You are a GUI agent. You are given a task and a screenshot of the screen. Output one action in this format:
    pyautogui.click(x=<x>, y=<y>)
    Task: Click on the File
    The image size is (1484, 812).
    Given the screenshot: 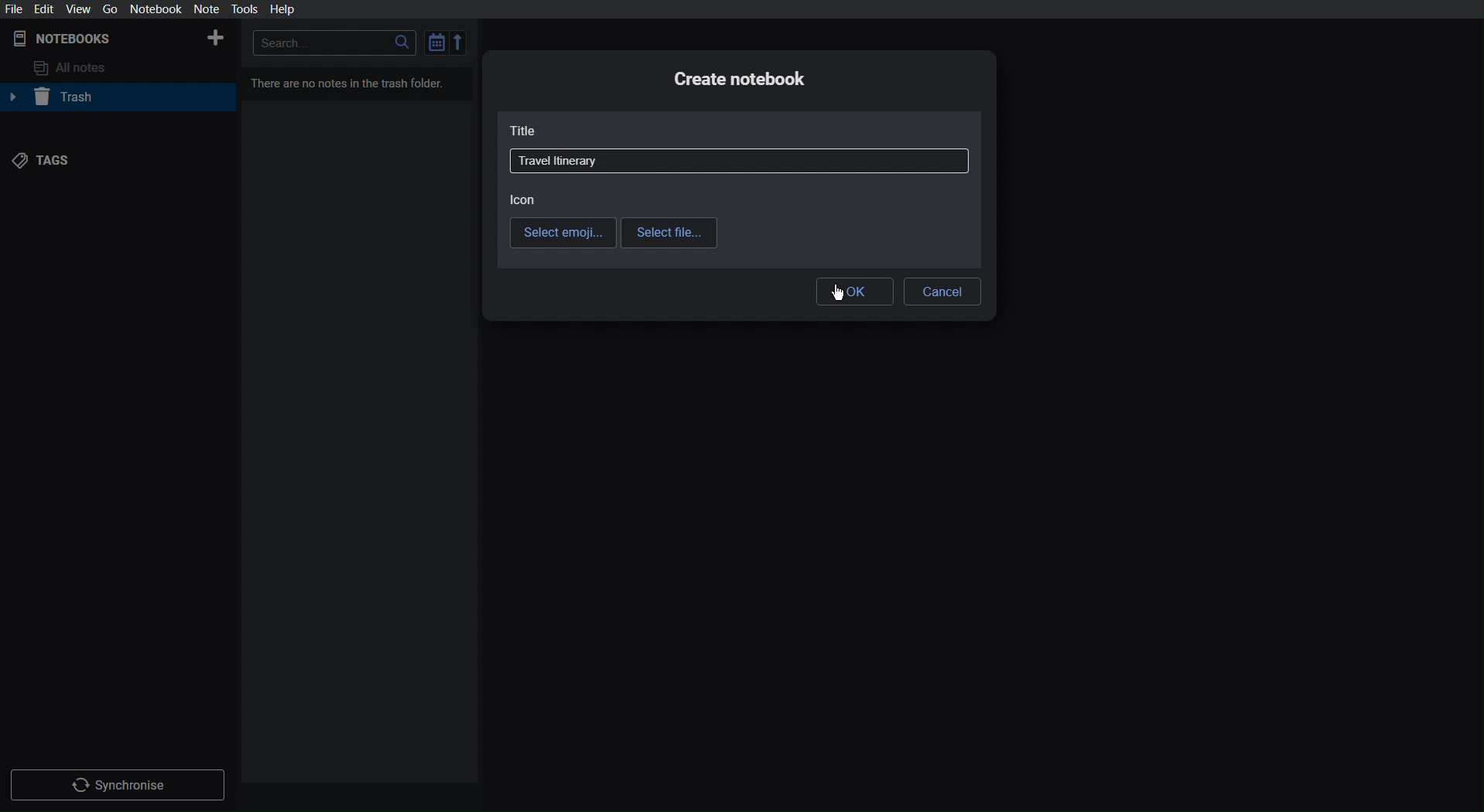 What is the action you would take?
    pyautogui.click(x=15, y=9)
    